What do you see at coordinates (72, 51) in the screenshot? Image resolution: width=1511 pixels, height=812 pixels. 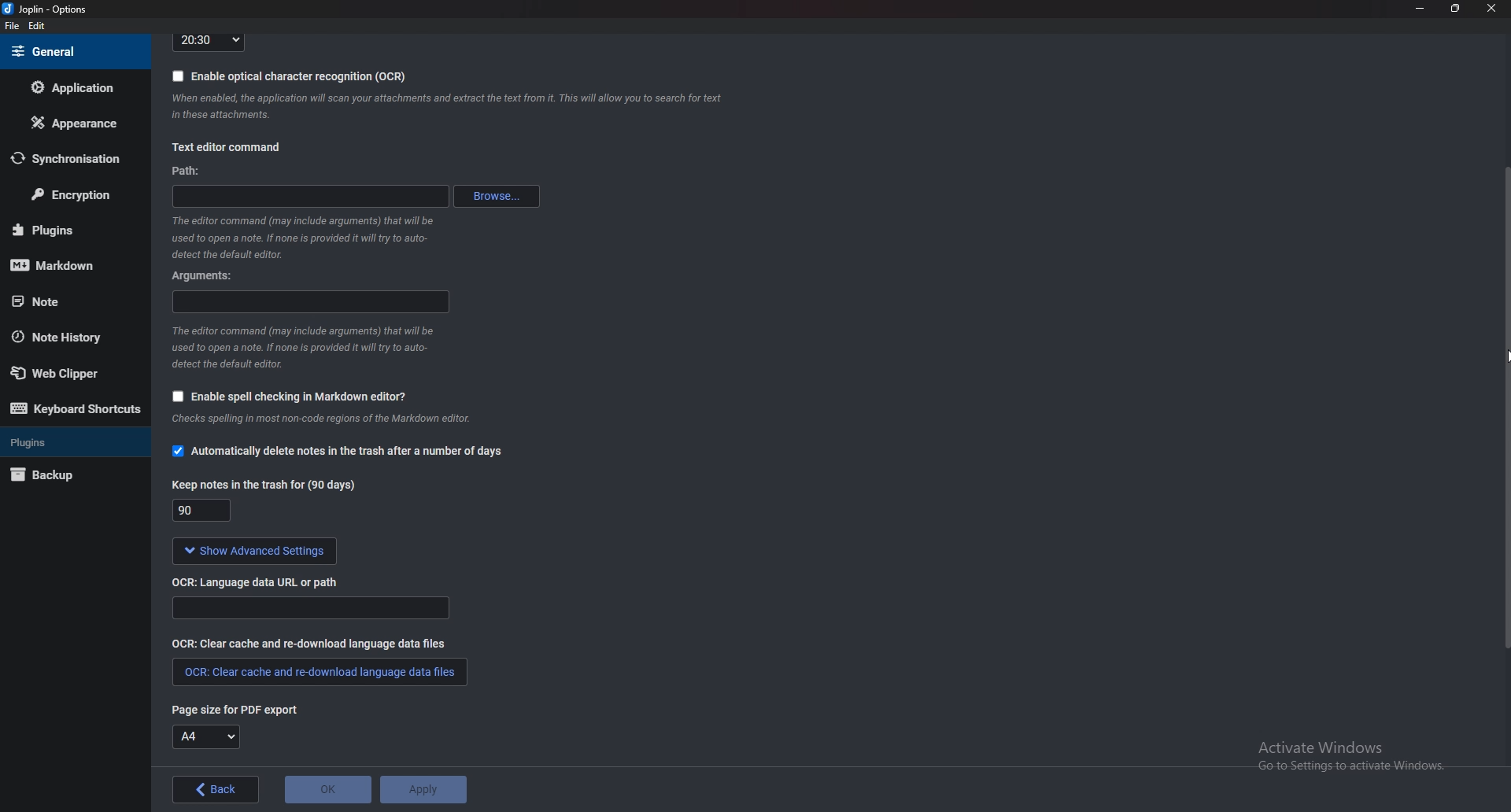 I see `general` at bounding box center [72, 51].